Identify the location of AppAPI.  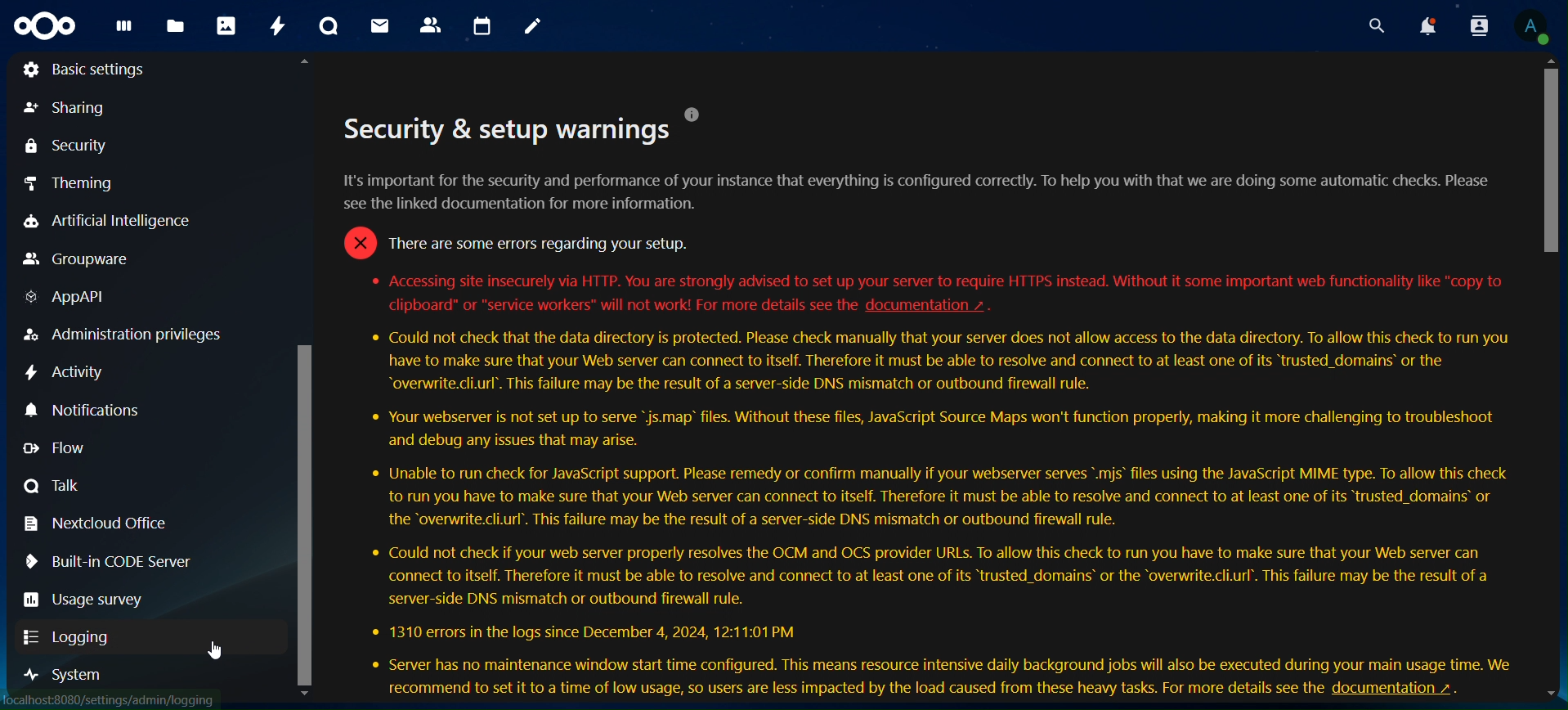
(69, 294).